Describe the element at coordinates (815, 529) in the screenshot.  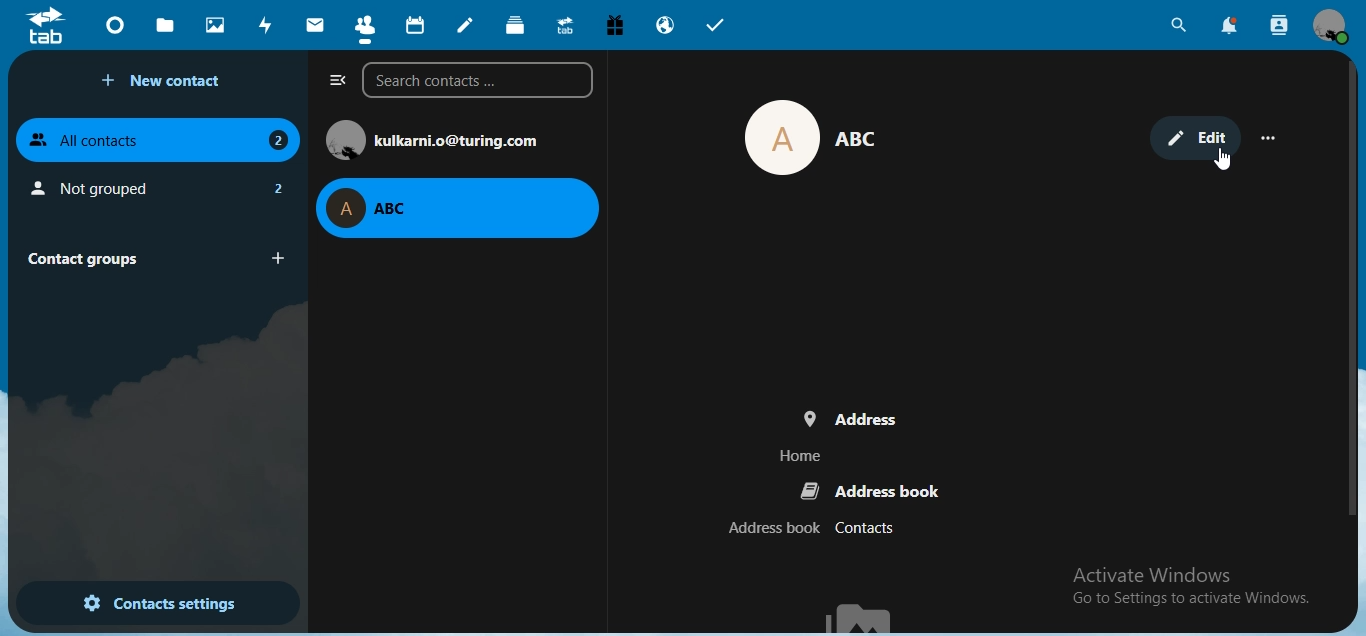
I see `address book contacts` at that location.